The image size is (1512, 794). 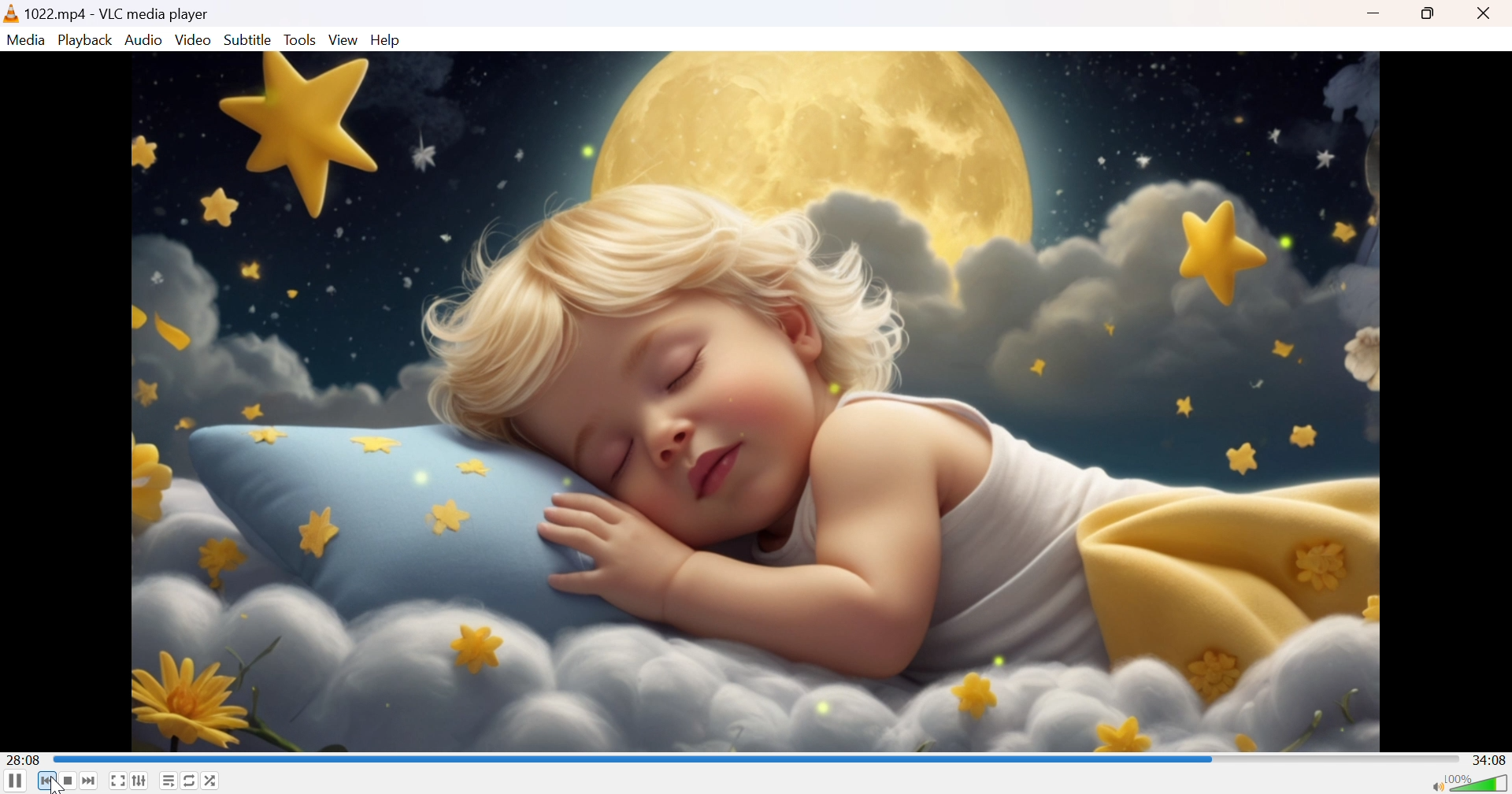 I want to click on Restore down, so click(x=1432, y=15).